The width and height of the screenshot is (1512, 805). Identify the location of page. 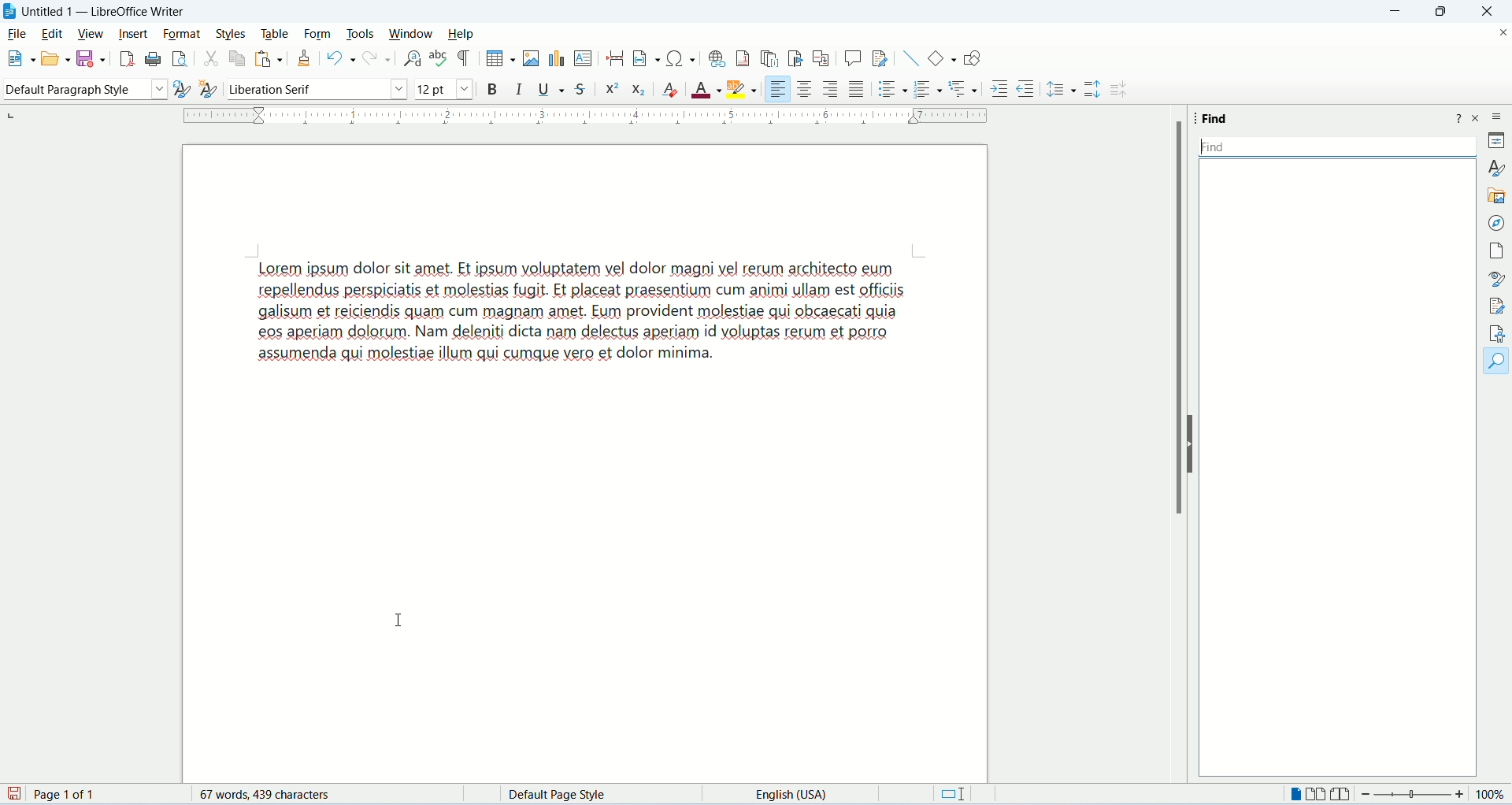
(1494, 250).